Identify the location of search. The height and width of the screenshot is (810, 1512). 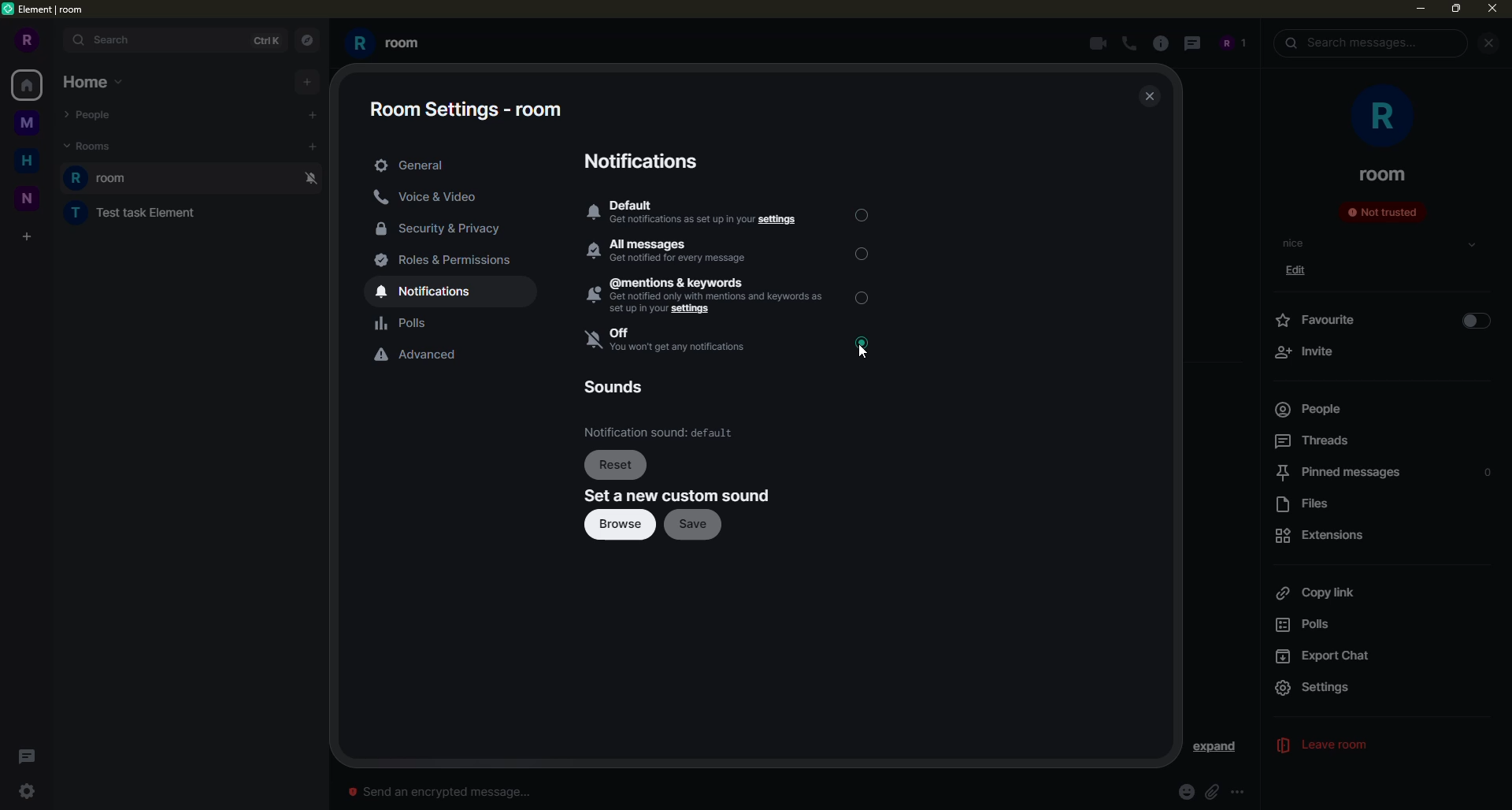
(1351, 43).